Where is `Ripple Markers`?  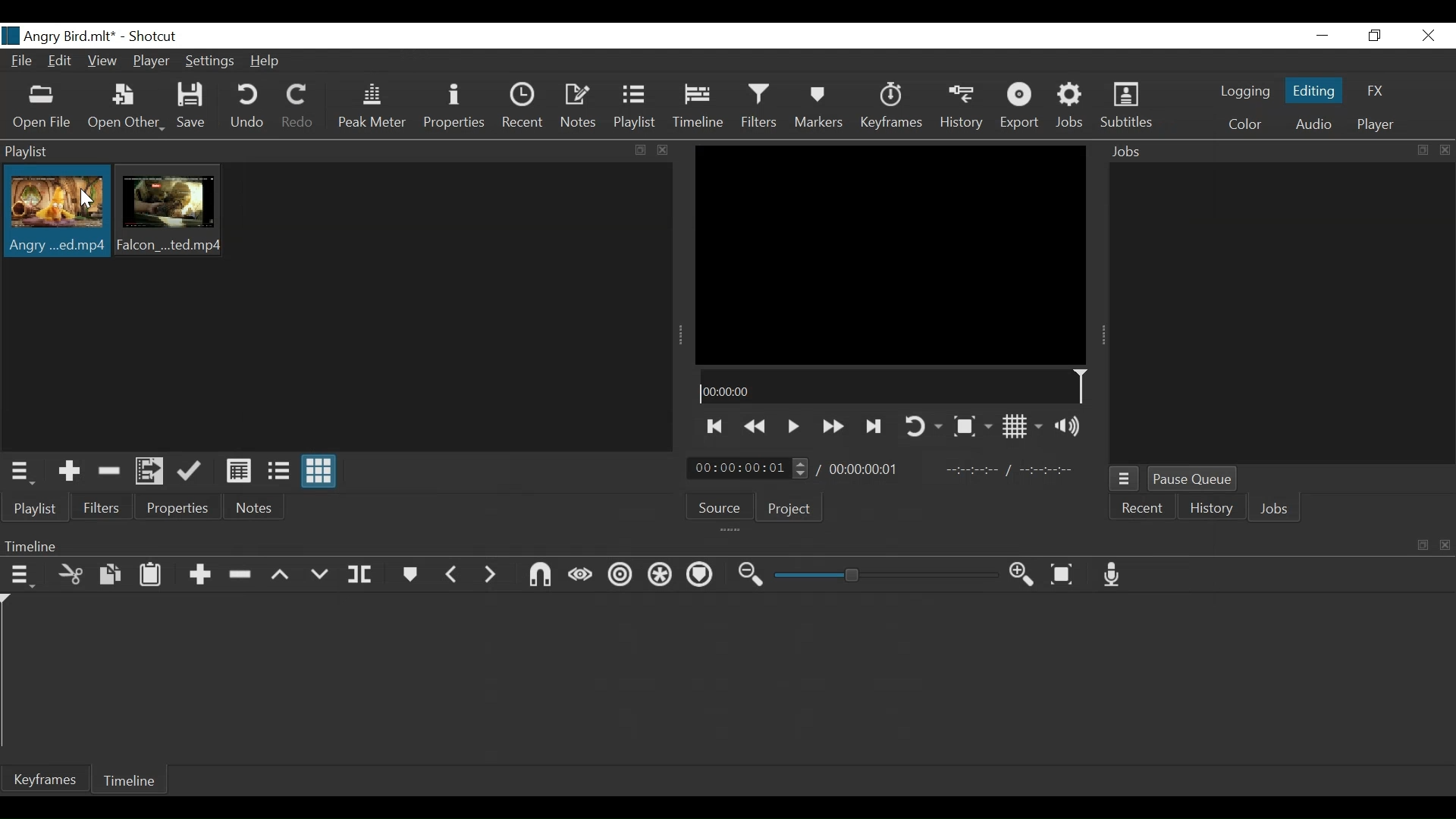 Ripple Markers is located at coordinates (699, 574).